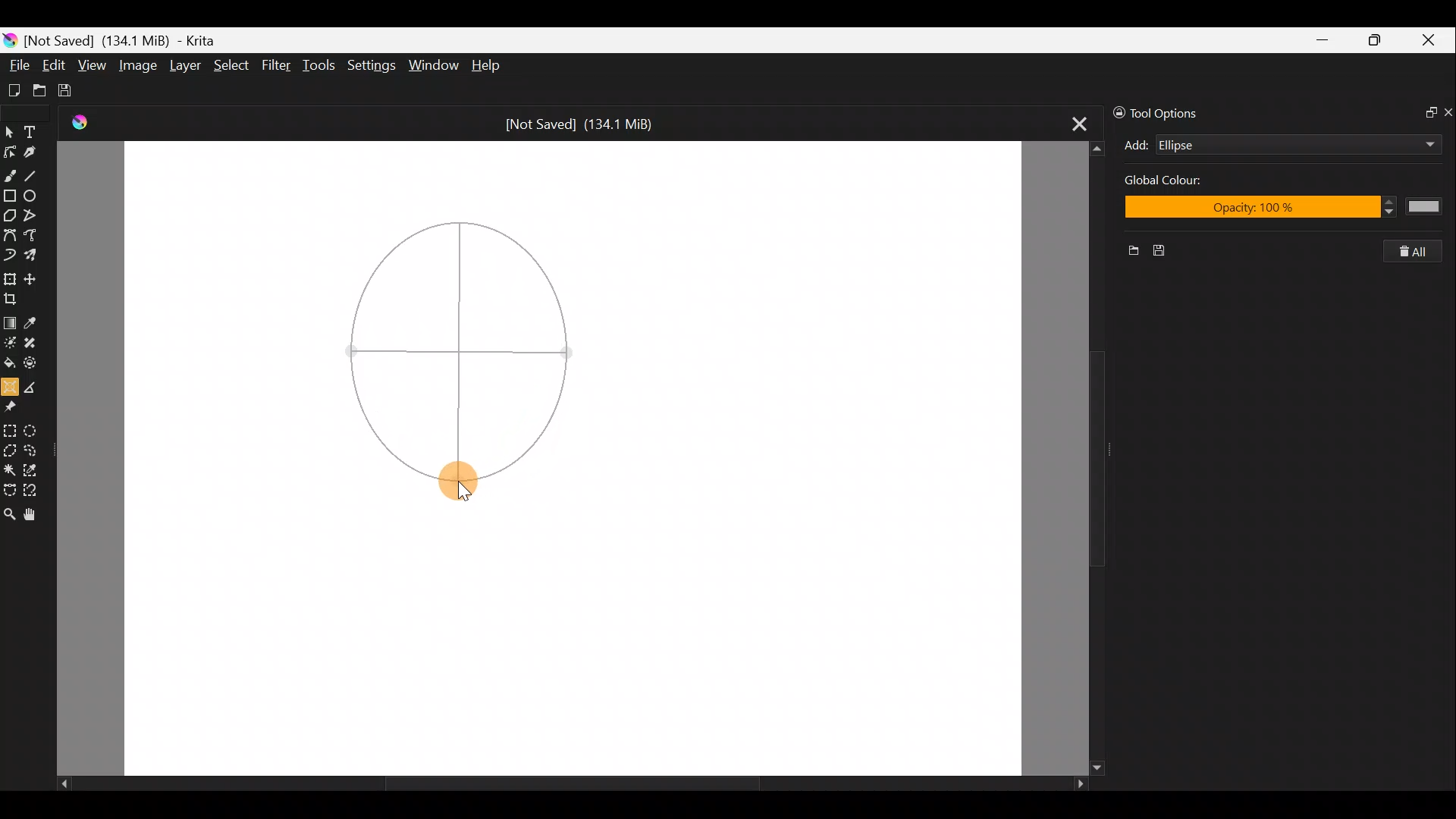 Image resolution: width=1456 pixels, height=819 pixels. Describe the element at coordinates (140, 64) in the screenshot. I see `Image` at that location.